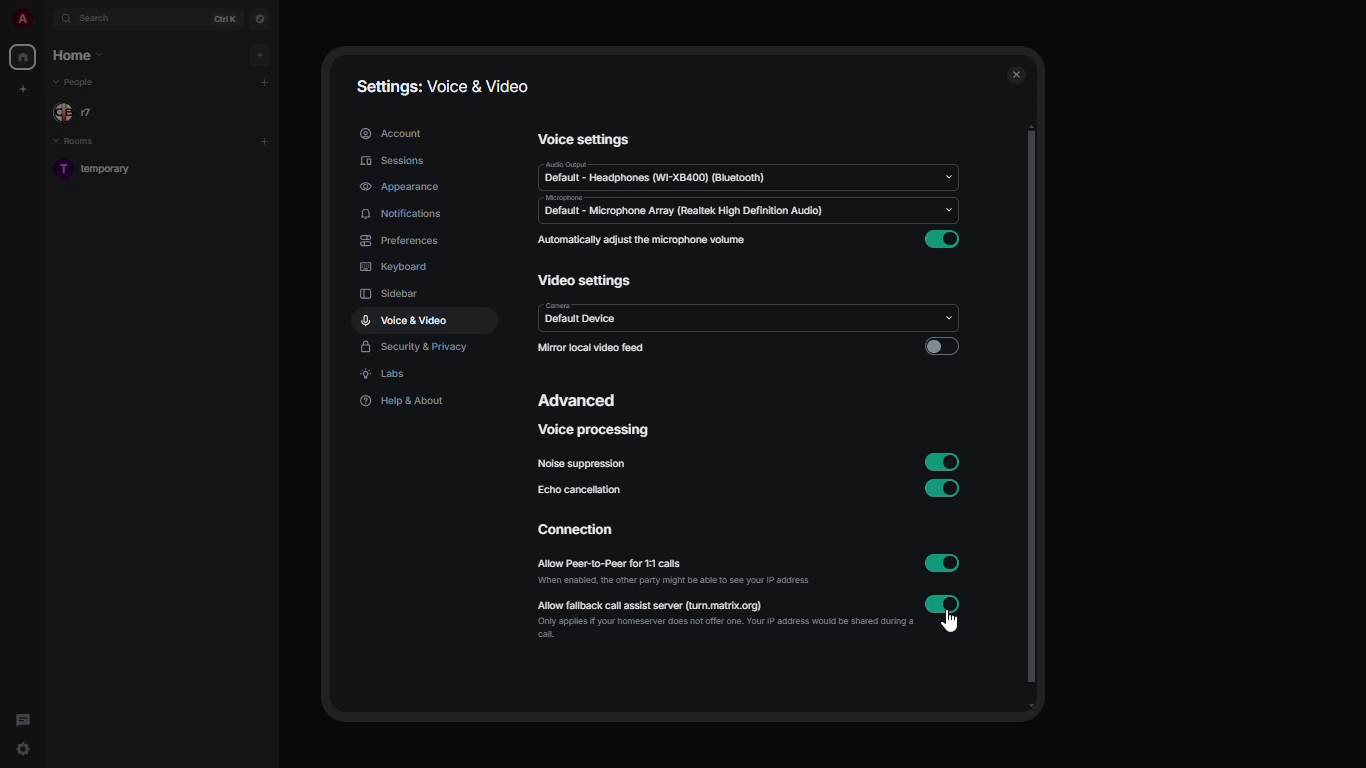  What do you see at coordinates (225, 19) in the screenshot?
I see `ctrl K` at bounding box center [225, 19].